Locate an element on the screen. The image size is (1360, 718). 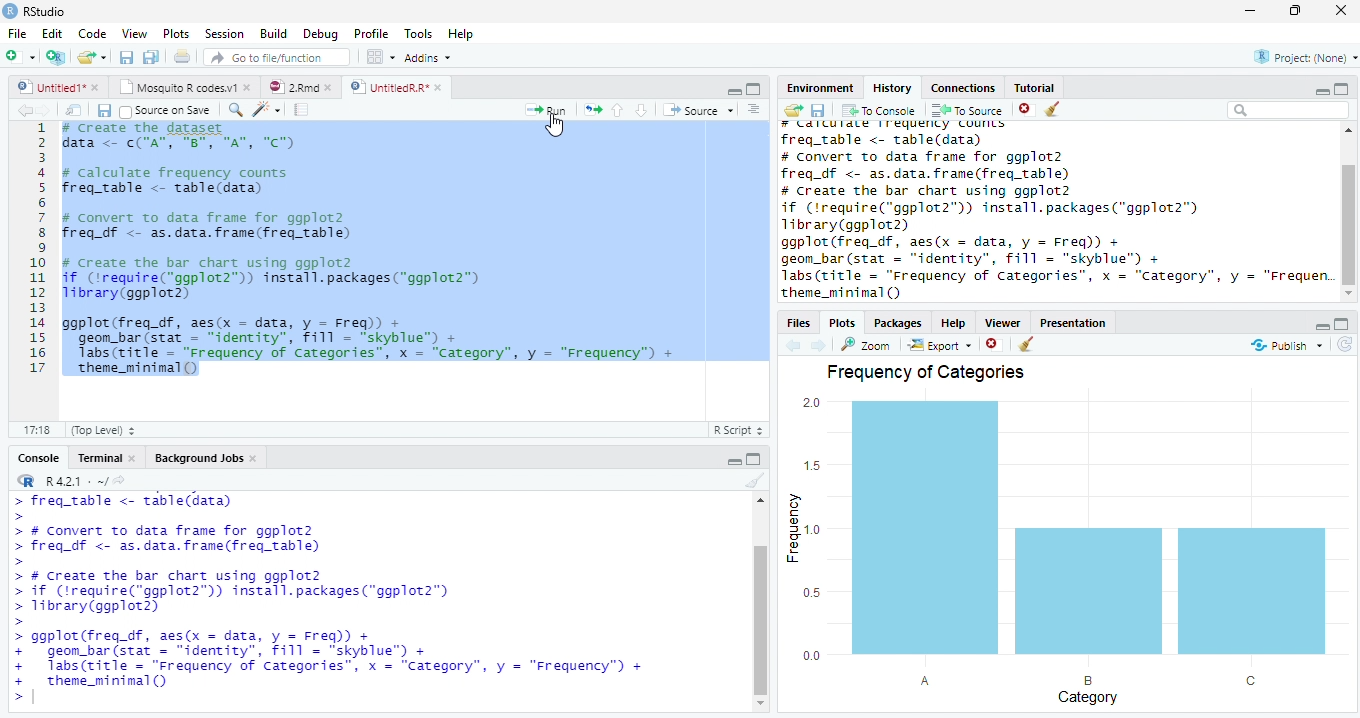
Clear Console is located at coordinates (1027, 344).